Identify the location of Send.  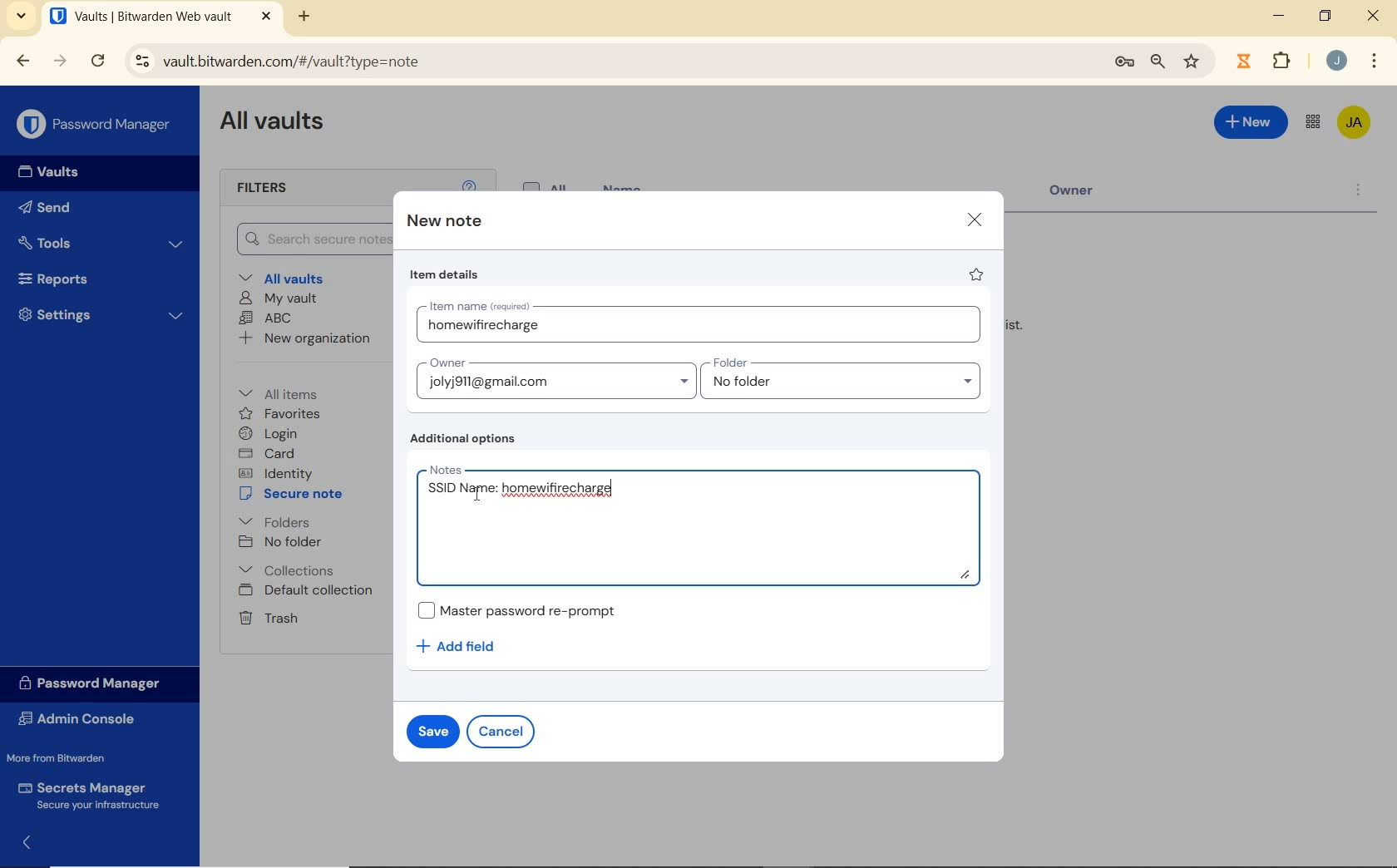
(50, 206).